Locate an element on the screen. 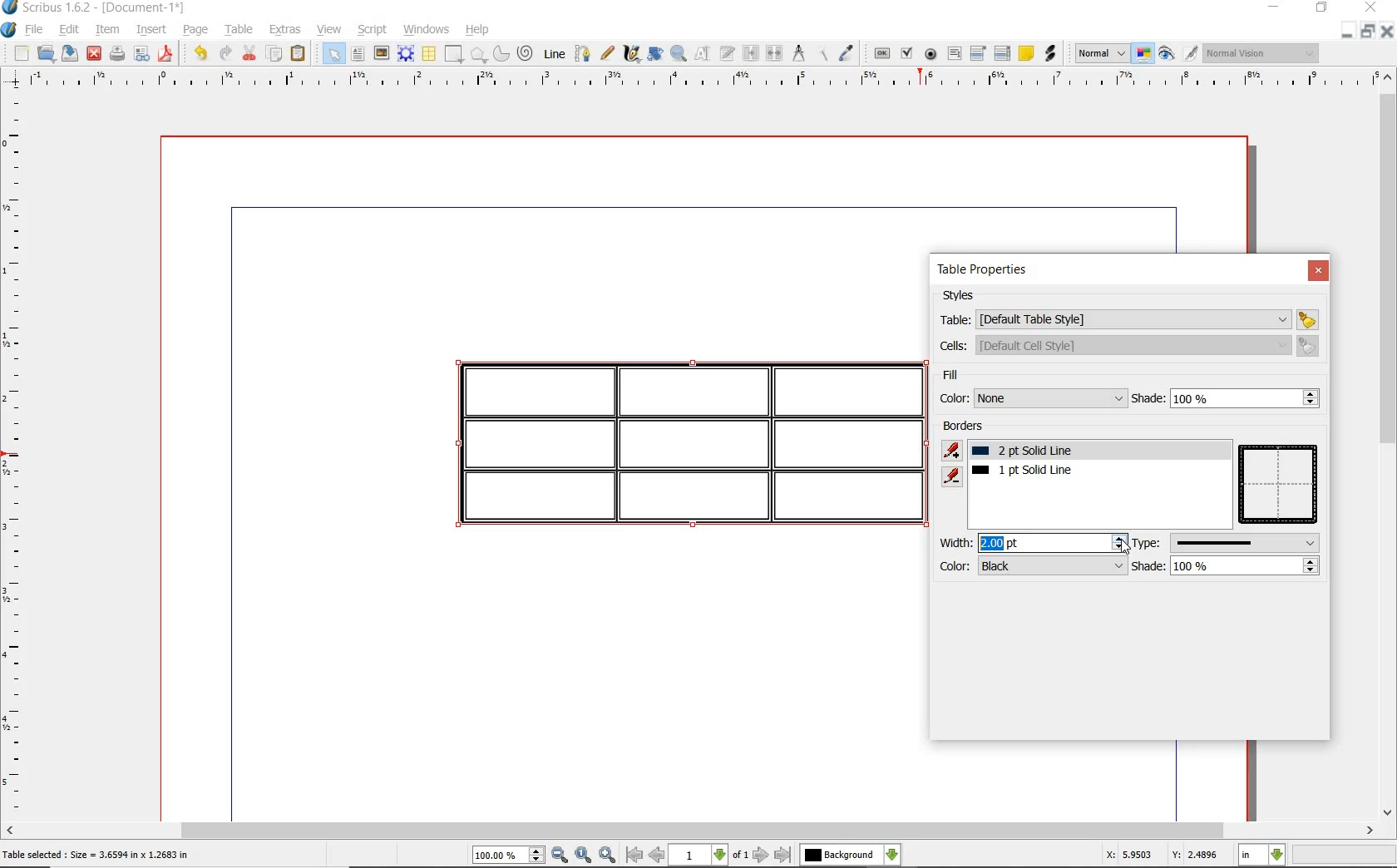 This screenshot has width=1397, height=868. select current unit is located at coordinates (1261, 856).